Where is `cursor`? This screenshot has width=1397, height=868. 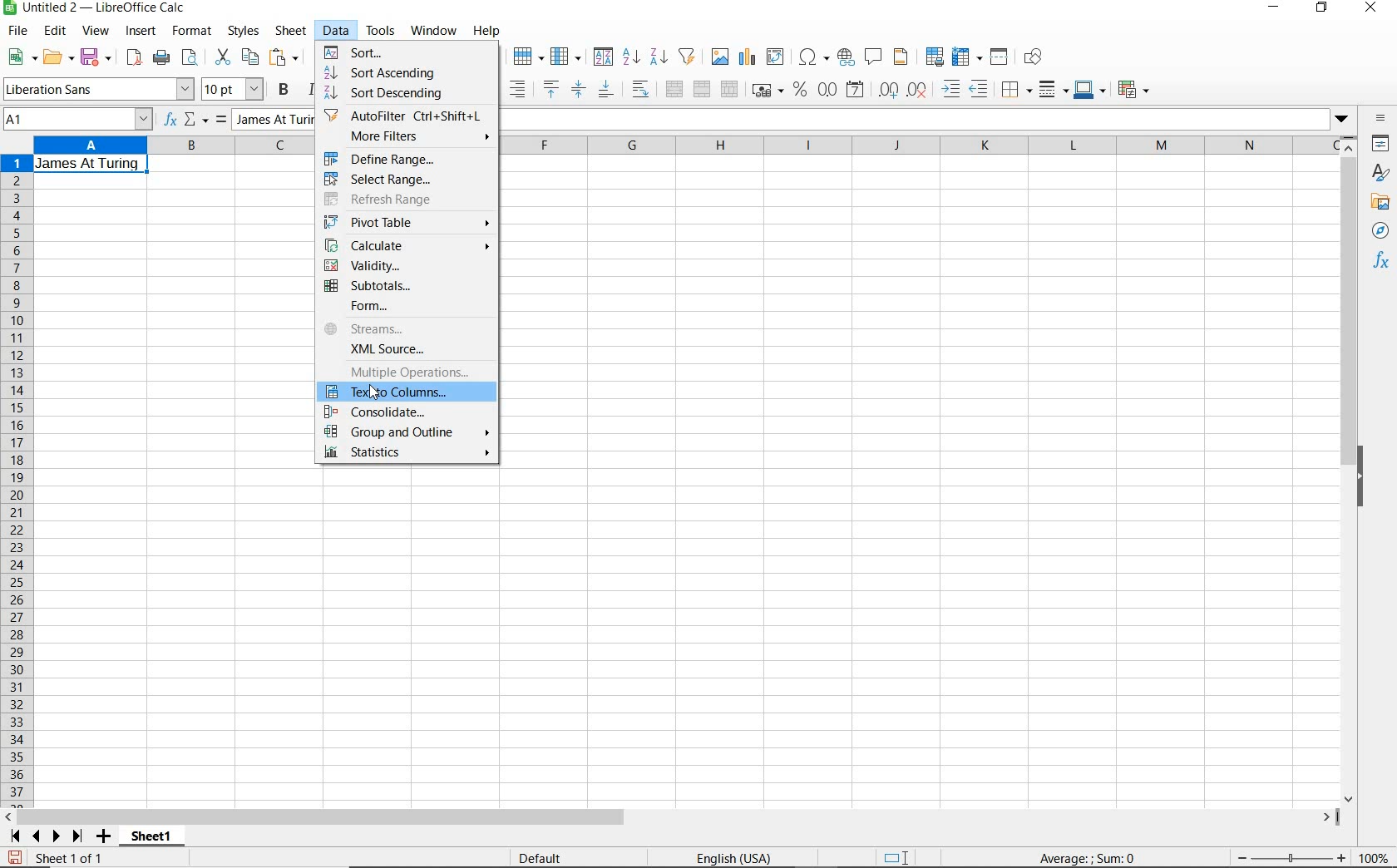 cursor is located at coordinates (379, 394).